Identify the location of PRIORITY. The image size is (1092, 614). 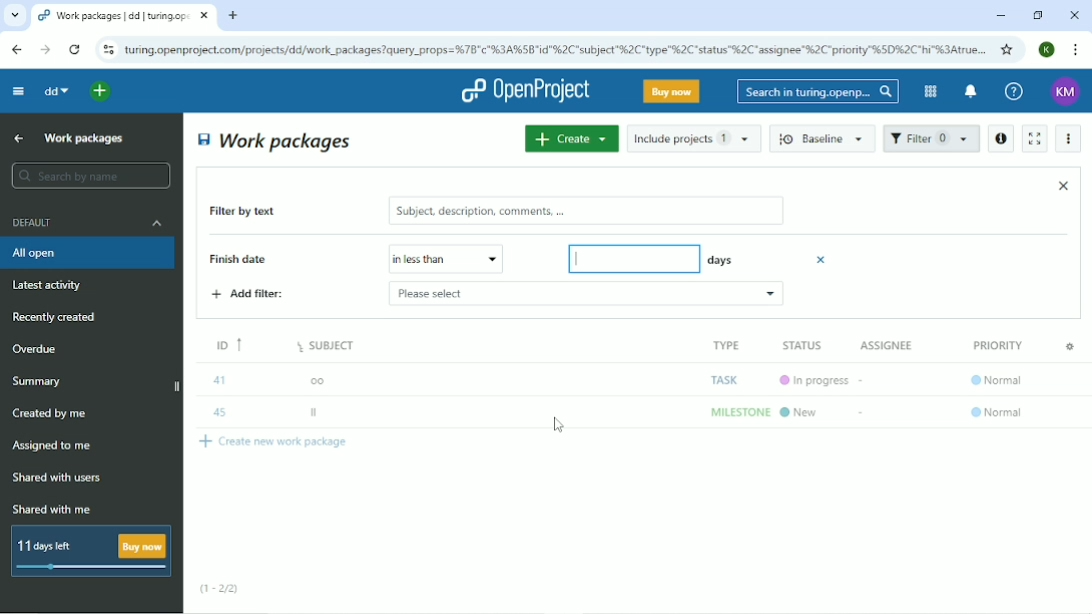
(995, 344).